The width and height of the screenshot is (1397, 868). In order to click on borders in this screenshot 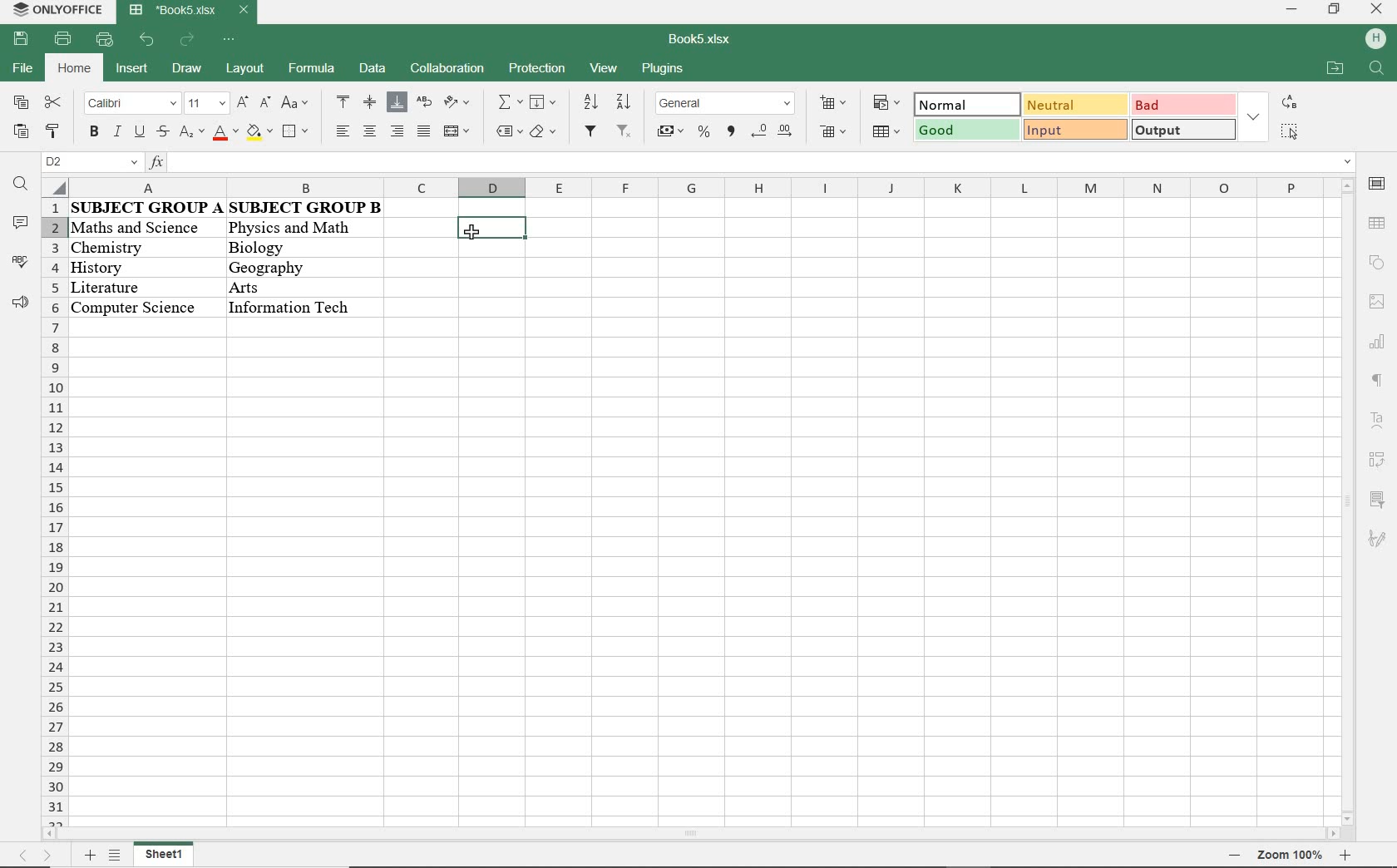, I will do `click(297, 133)`.